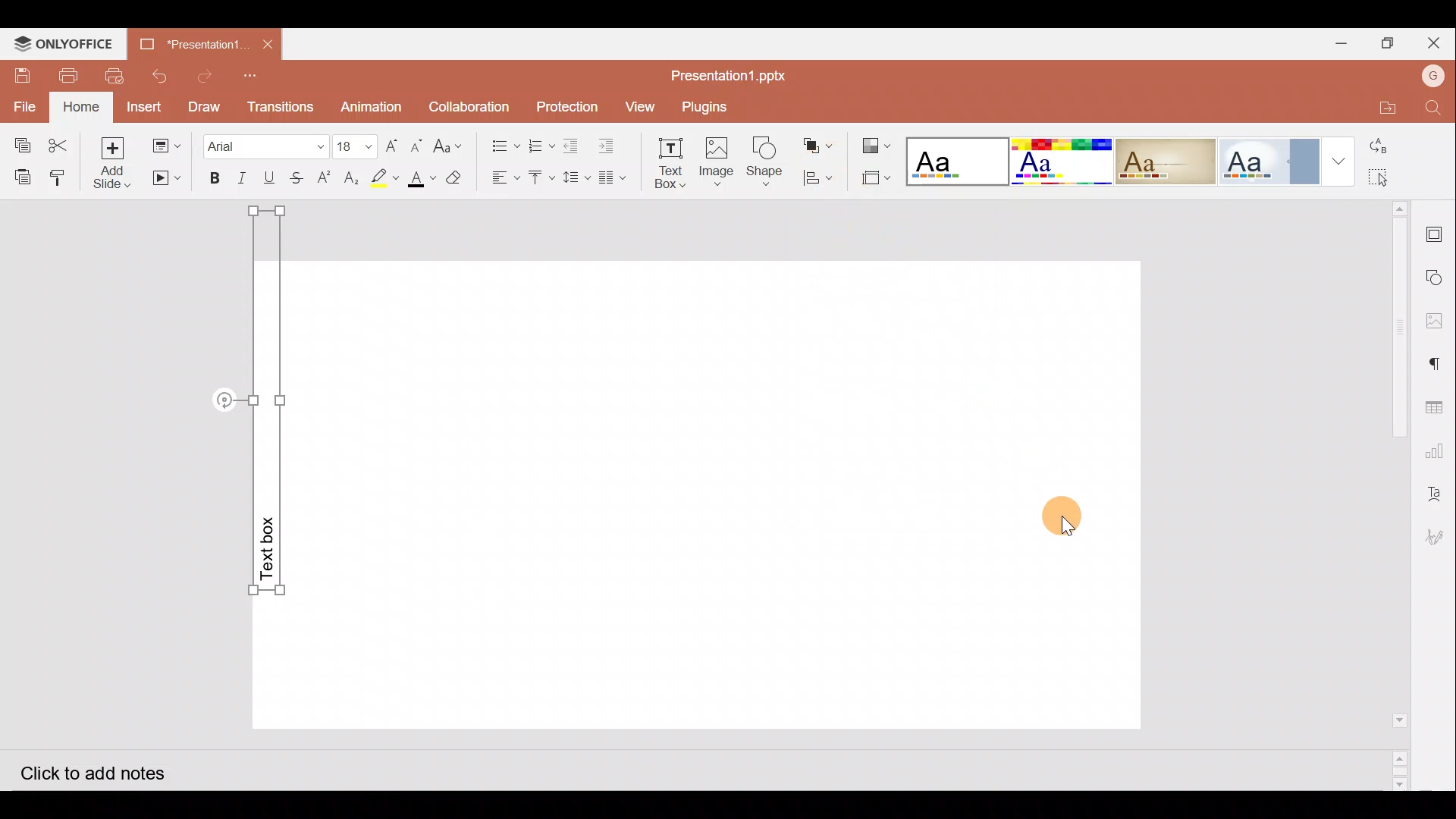 The height and width of the screenshot is (819, 1456). What do you see at coordinates (1437, 492) in the screenshot?
I see `Text Art settings` at bounding box center [1437, 492].